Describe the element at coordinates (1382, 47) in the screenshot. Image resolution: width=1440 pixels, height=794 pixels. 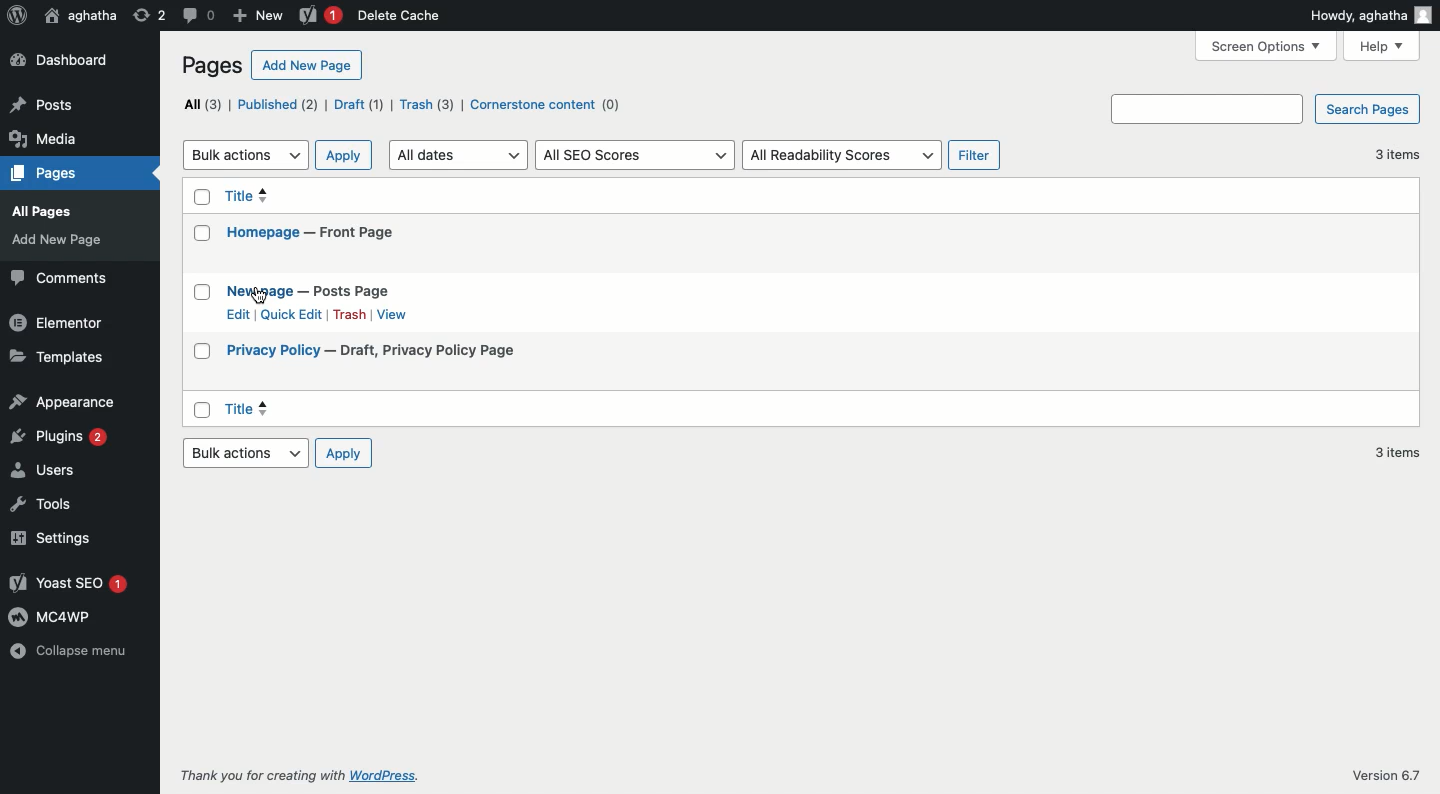
I see `Help` at that location.